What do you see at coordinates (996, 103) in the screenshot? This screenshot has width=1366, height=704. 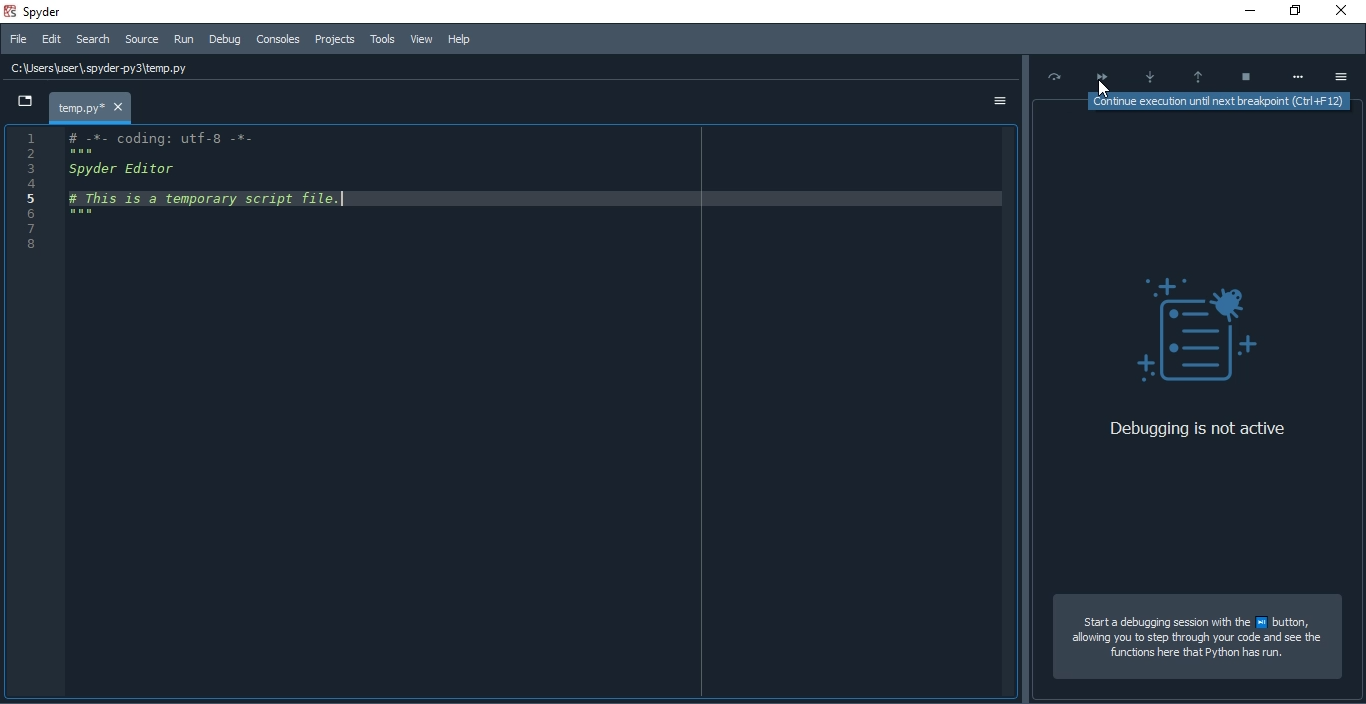 I see `options` at bounding box center [996, 103].